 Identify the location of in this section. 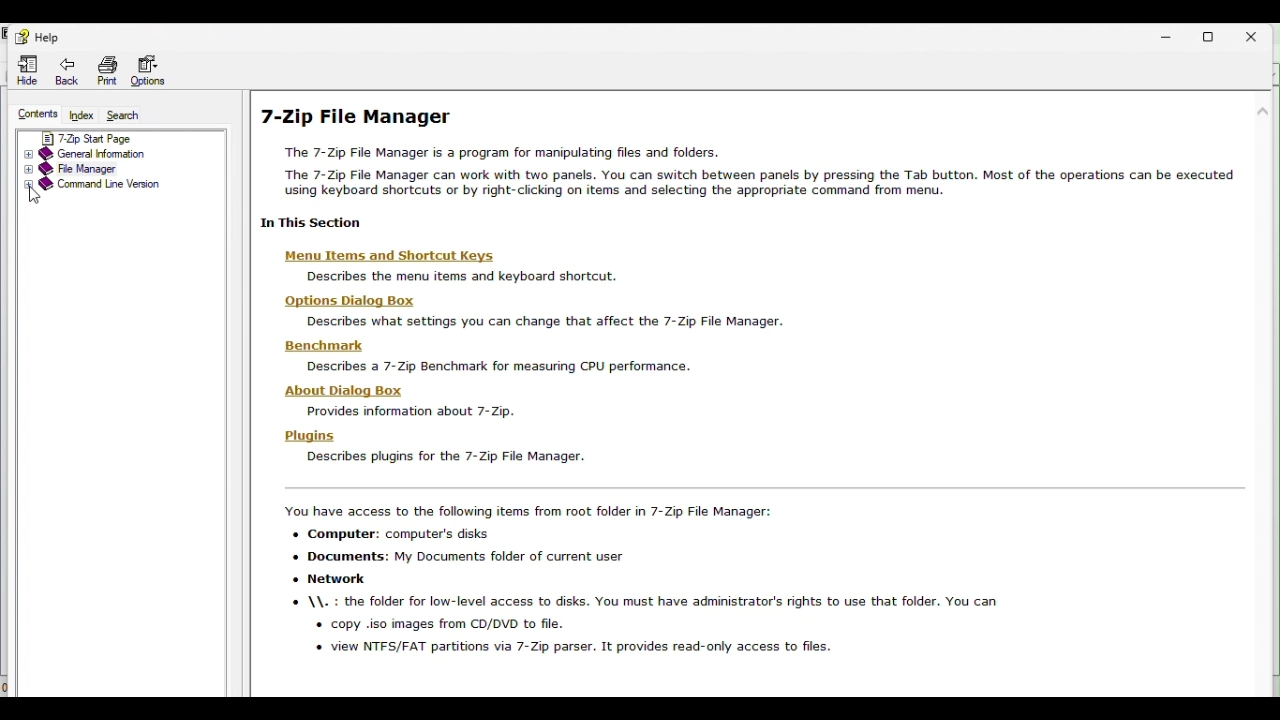
(318, 222).